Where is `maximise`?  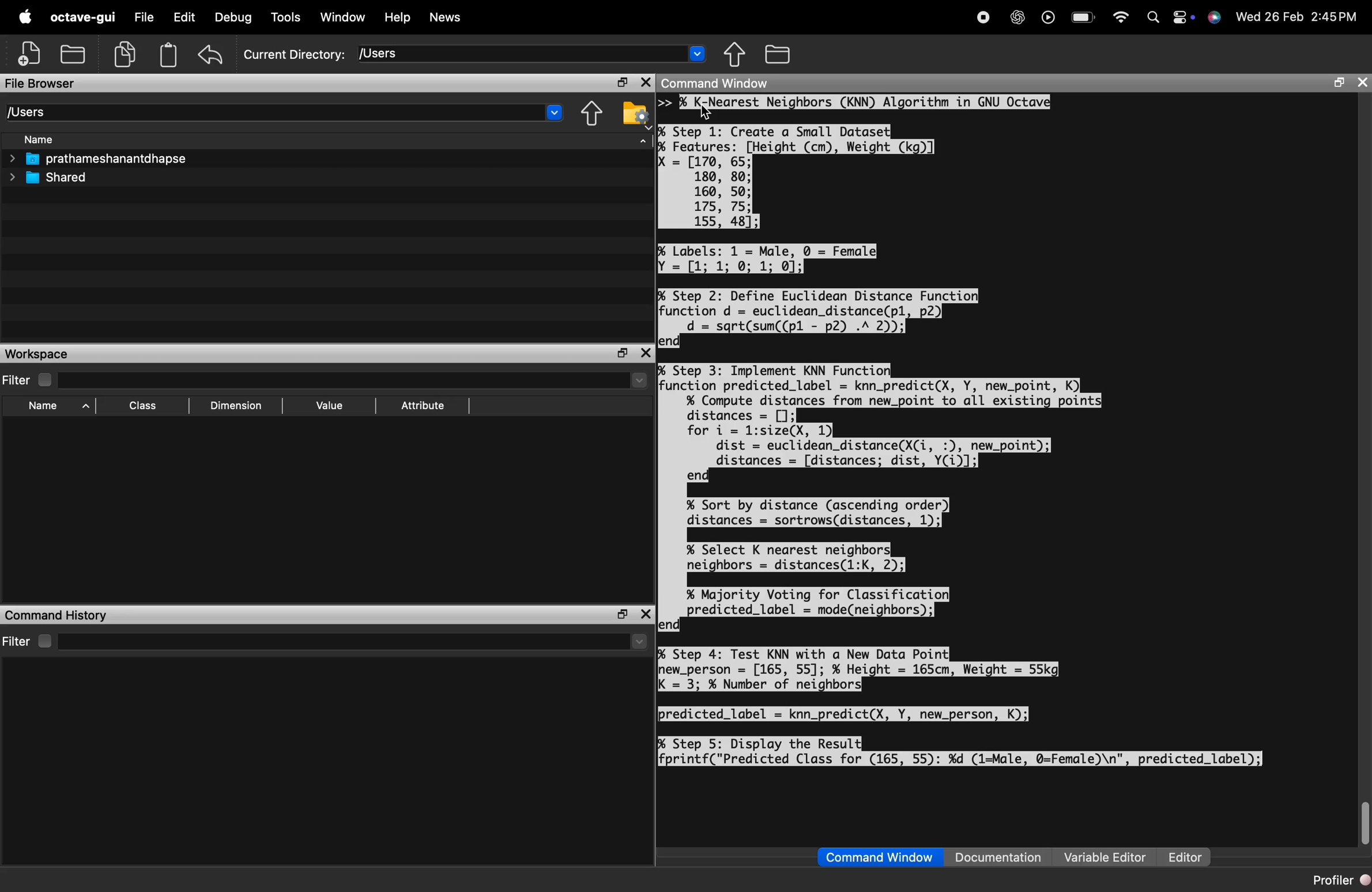
maximise is located at coordinates (618, 353).